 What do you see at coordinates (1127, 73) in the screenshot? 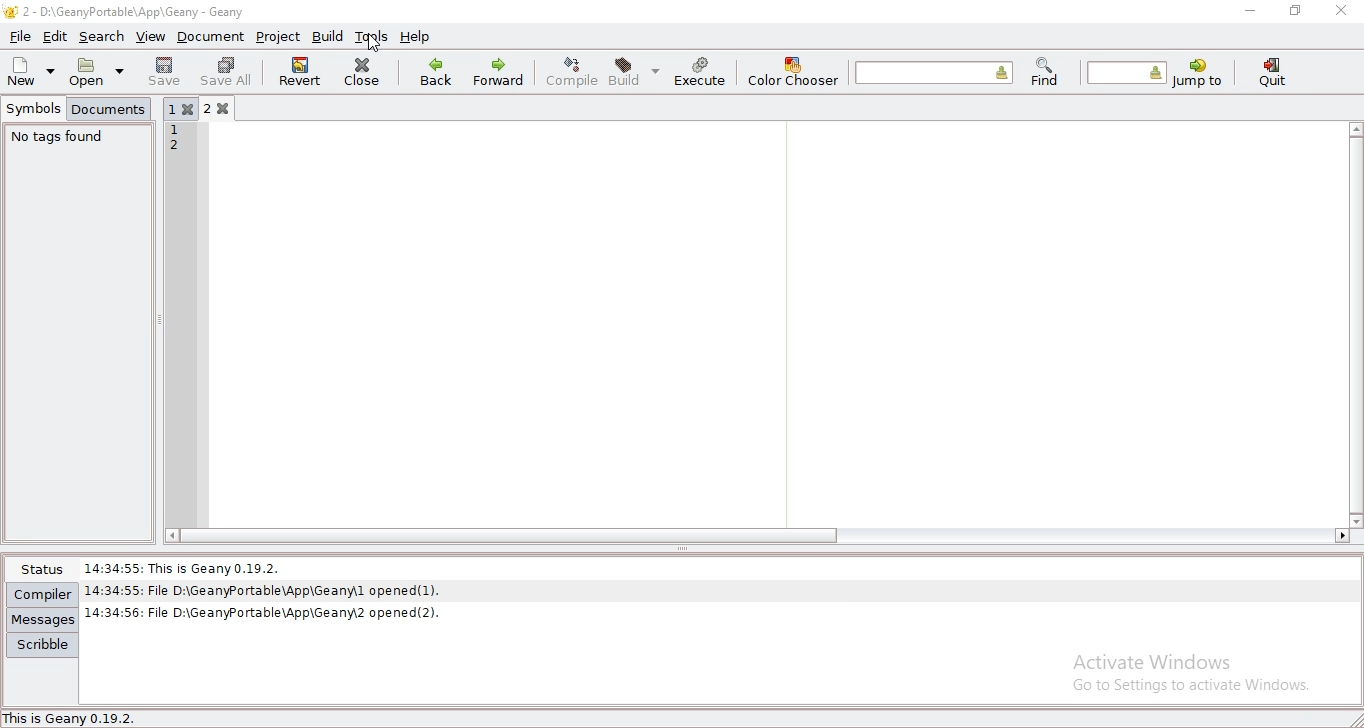
I see `jump to the entered line number` at bounding box center [1127, 73].